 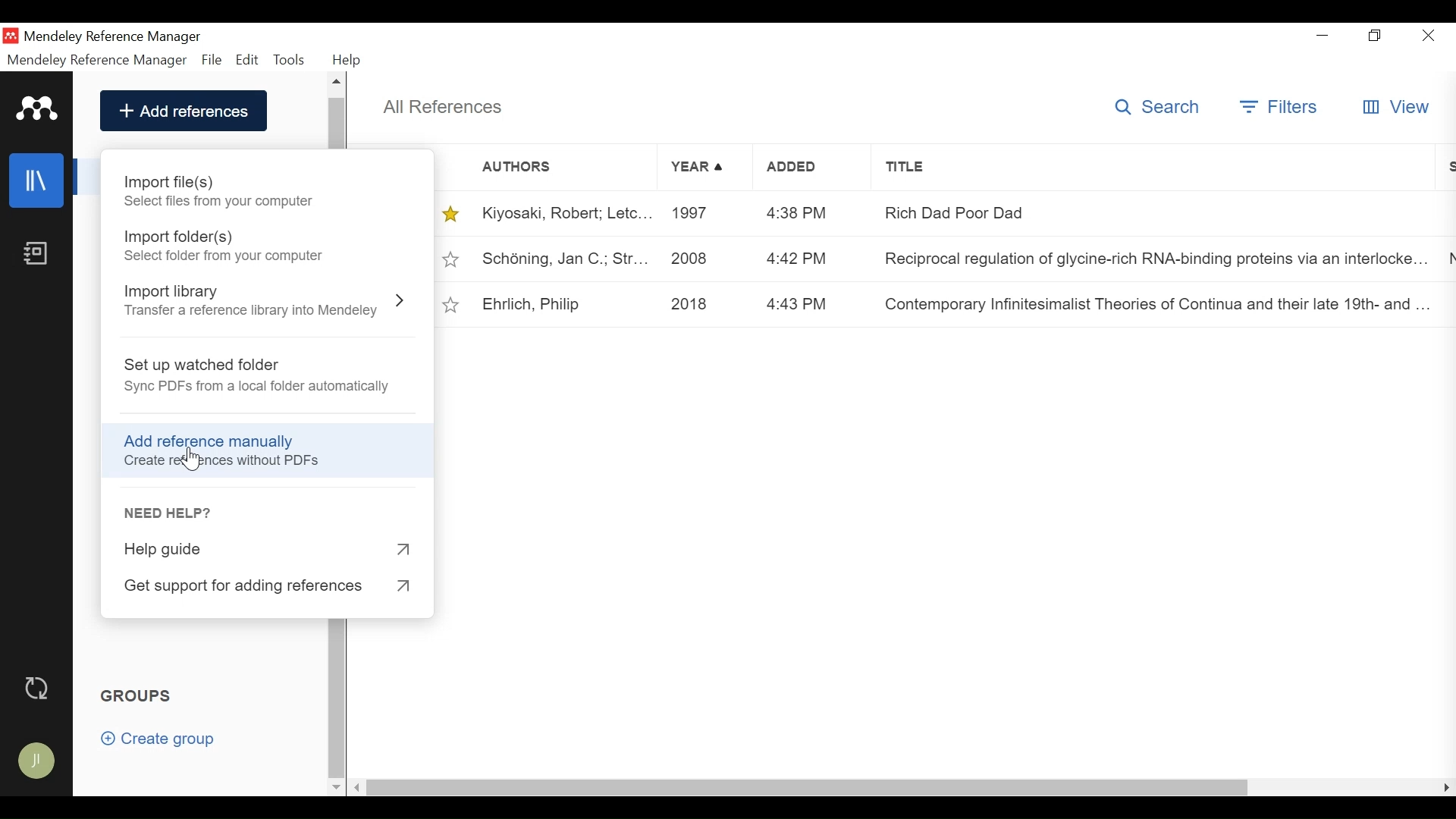 I want to click on All References, so click(x=442, y=106).